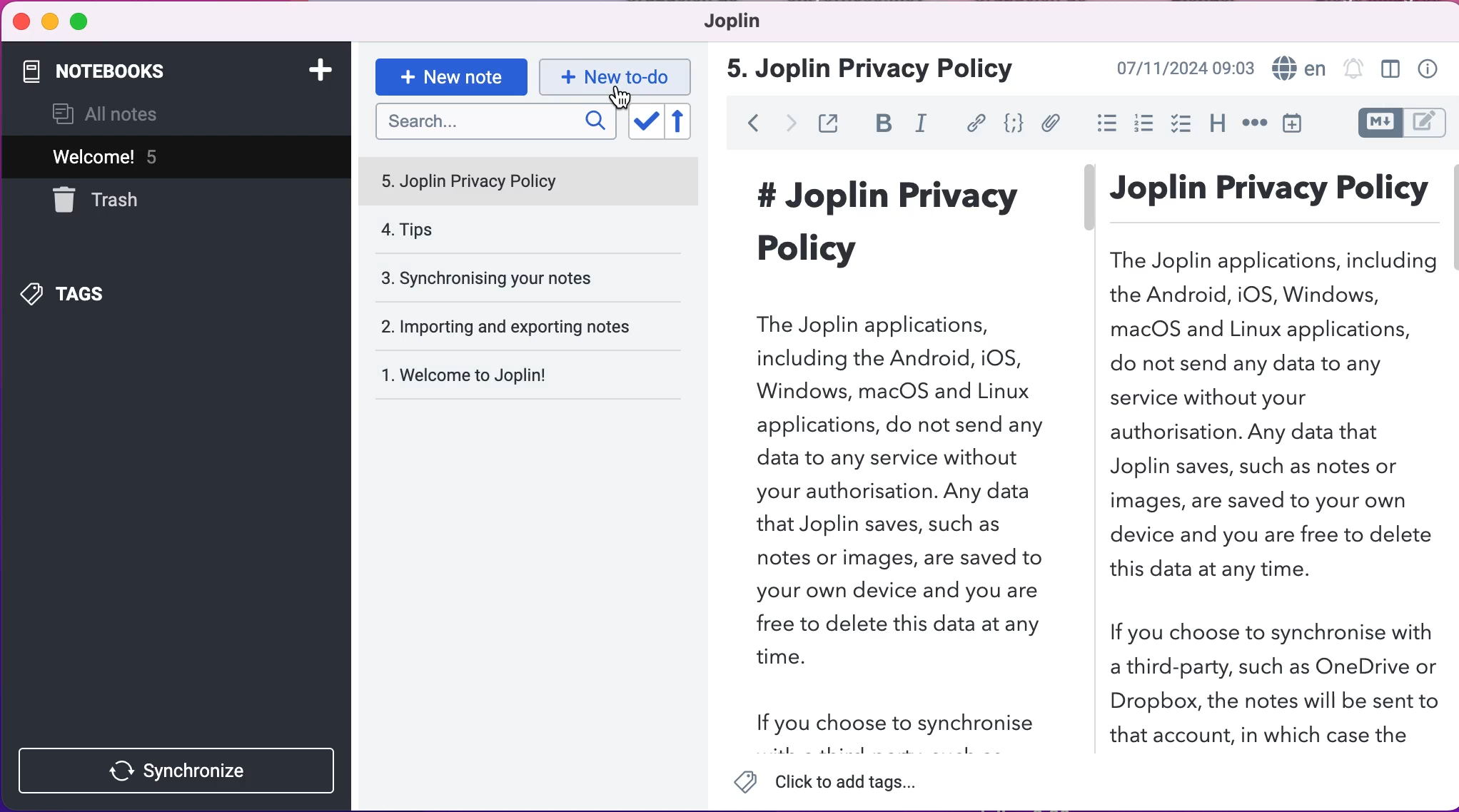  What do you see at coordinates (1389, 123) in the screenshot?
I see `toggle editors` at bounding box center [1389, 123].